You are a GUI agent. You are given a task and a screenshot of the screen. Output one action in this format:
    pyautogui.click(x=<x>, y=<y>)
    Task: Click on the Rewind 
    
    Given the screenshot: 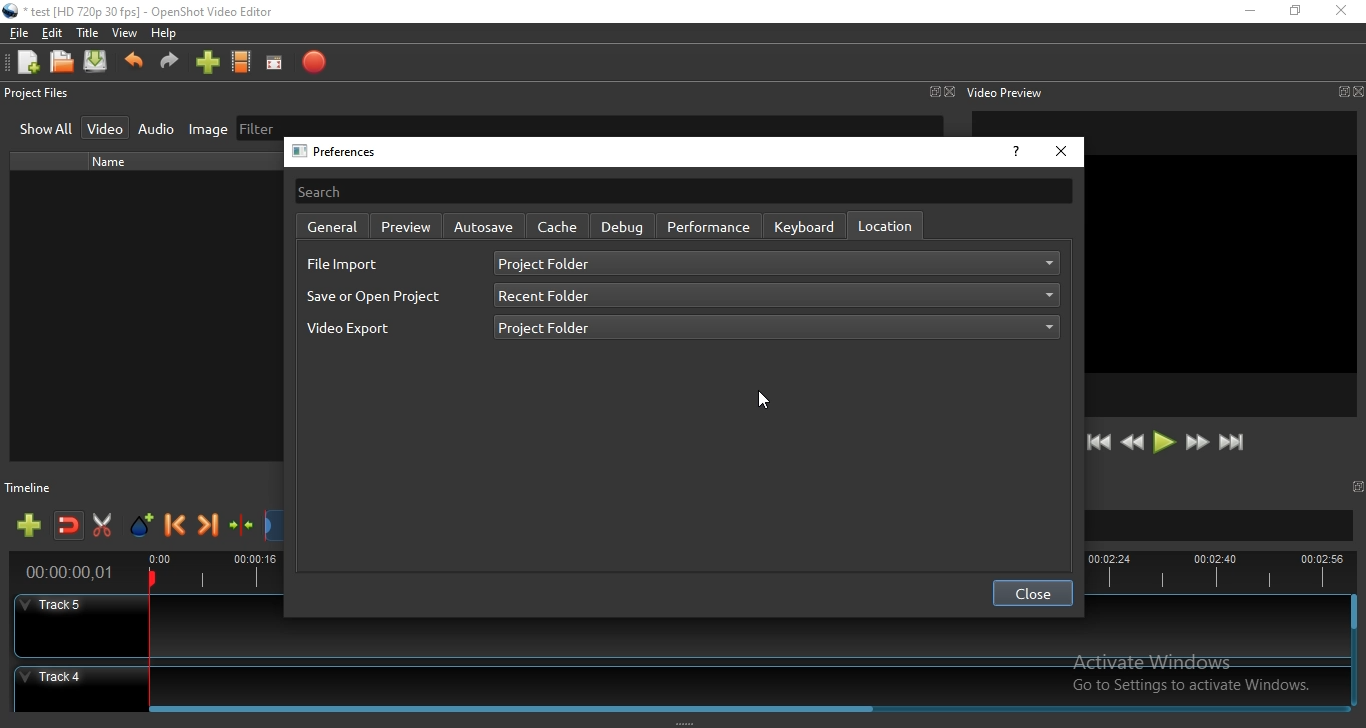 What is the action you would take?
    pyautogui.click(x=1132, y=443)
    